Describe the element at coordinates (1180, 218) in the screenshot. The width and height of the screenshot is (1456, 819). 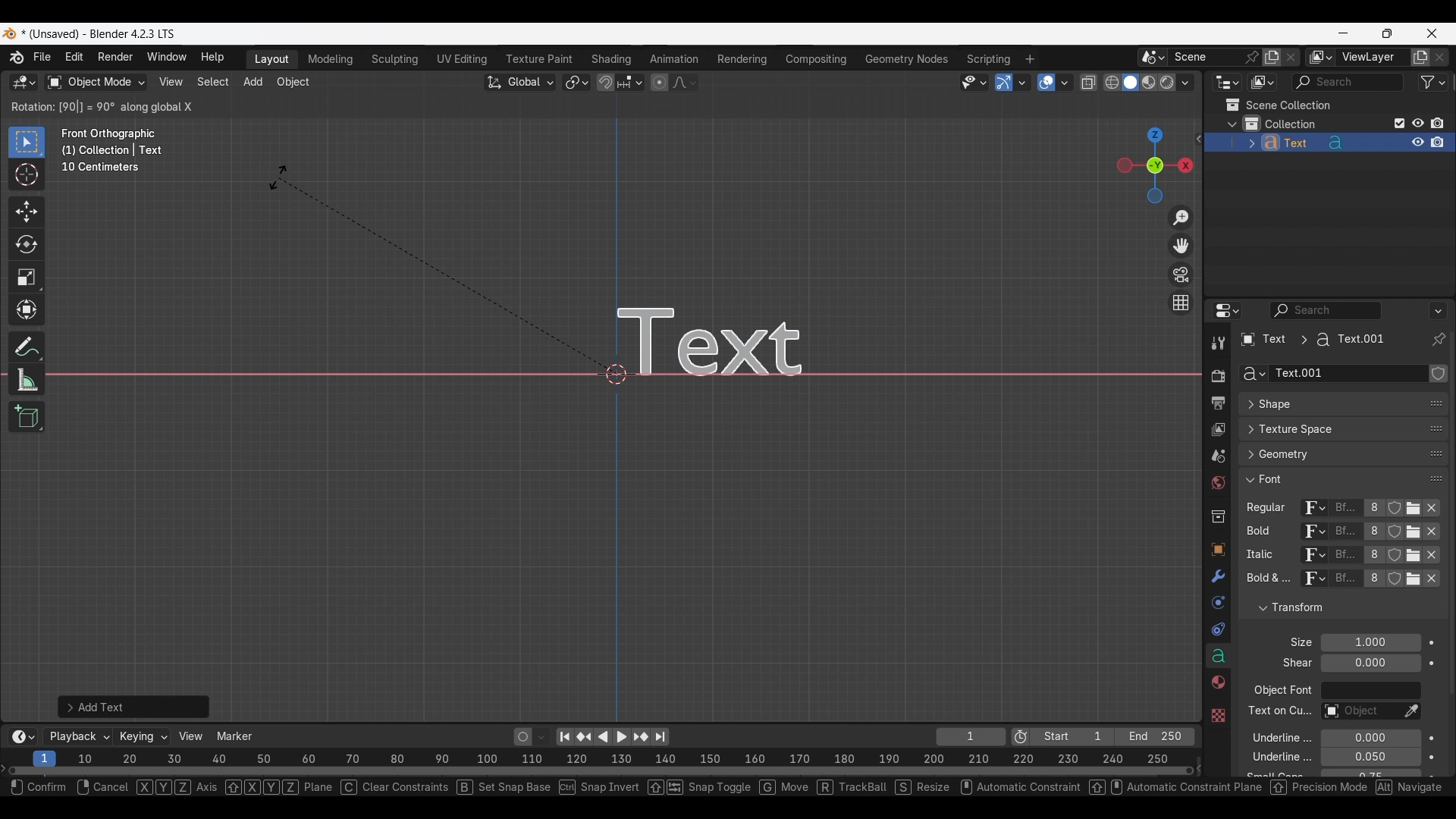
I see `Zoom in/out in the view` at that location.